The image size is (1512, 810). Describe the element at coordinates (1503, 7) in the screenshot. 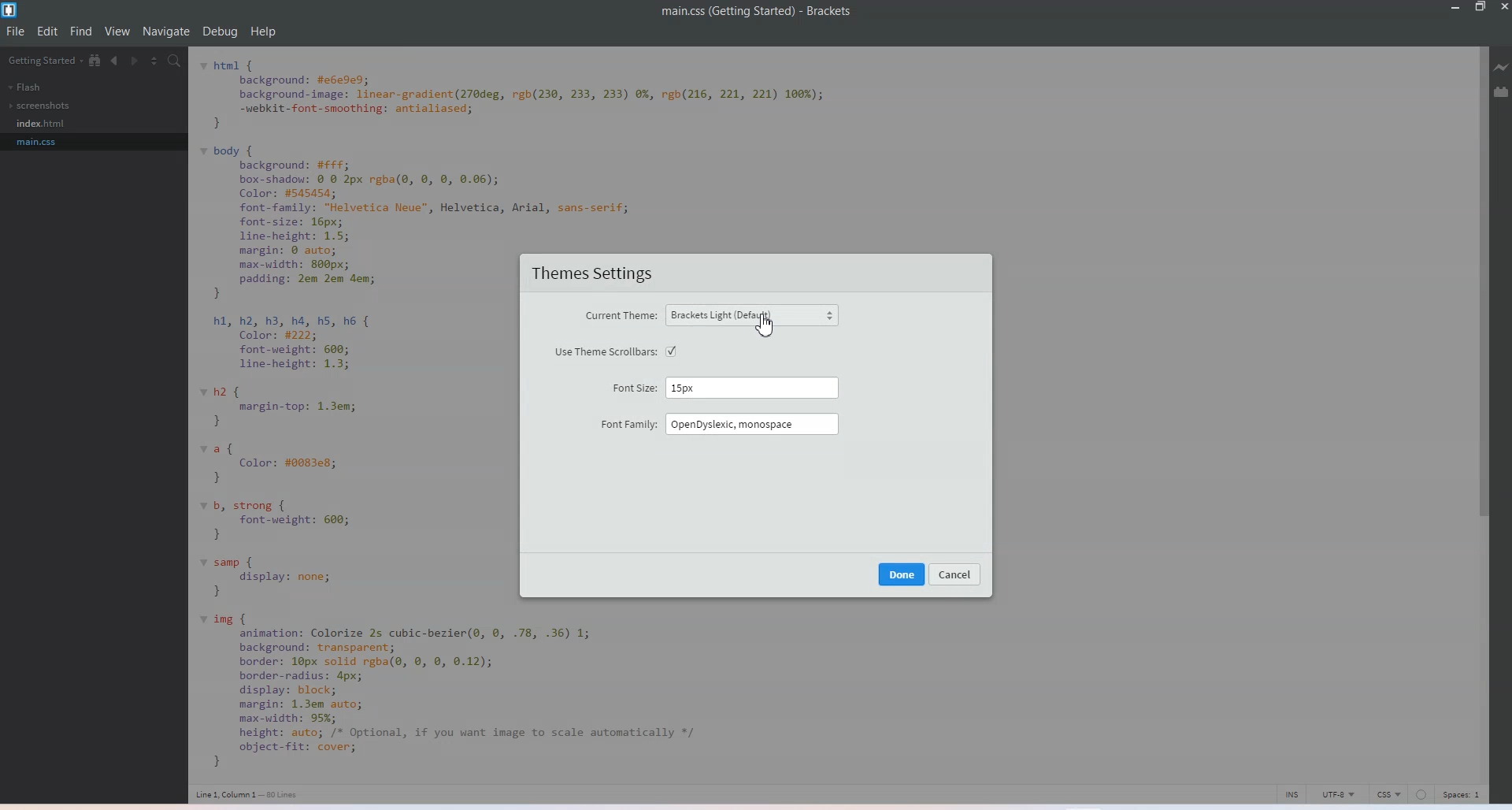

I see `Close` at that location.